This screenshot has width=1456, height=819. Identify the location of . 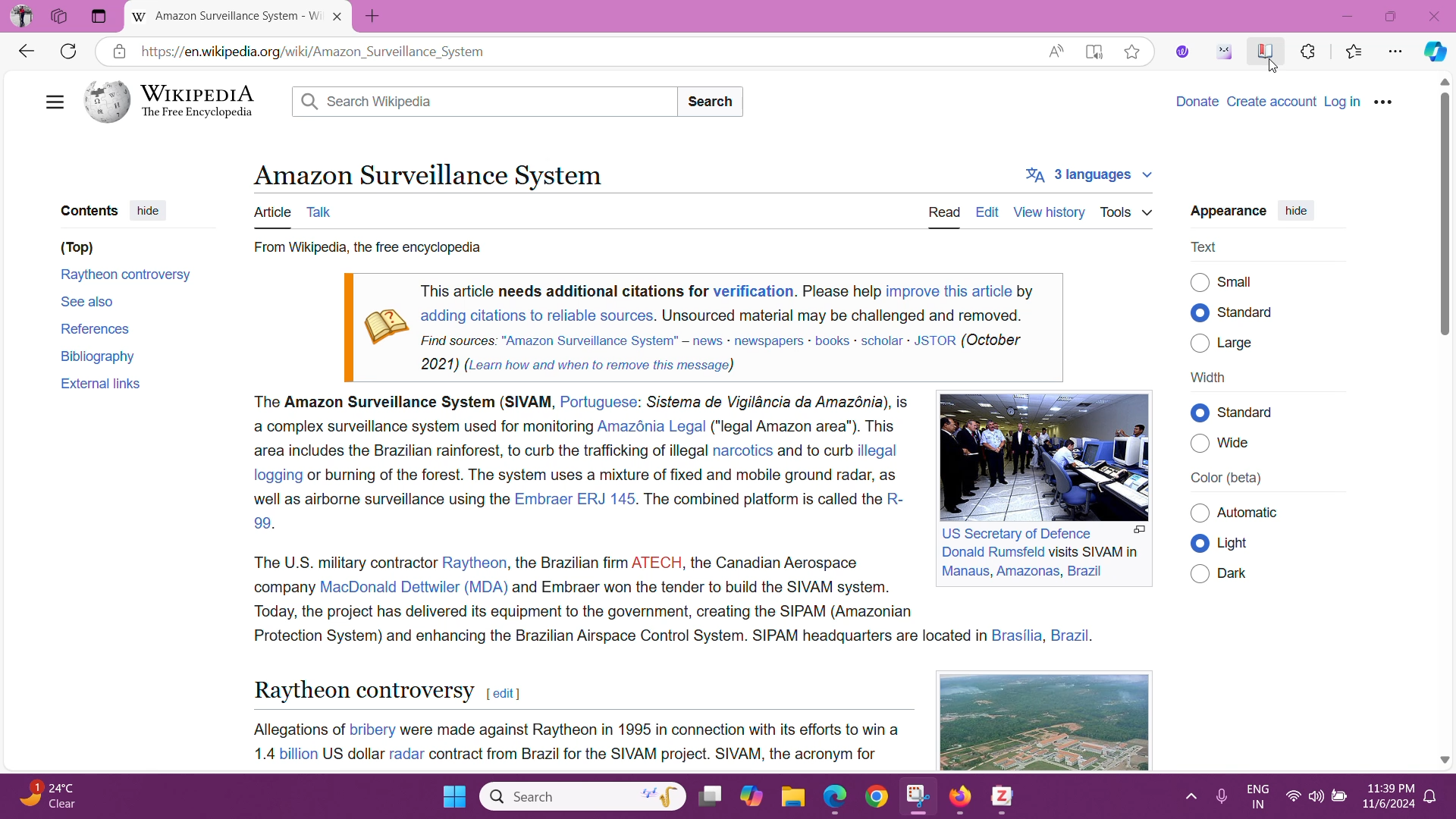
(1200, 513).